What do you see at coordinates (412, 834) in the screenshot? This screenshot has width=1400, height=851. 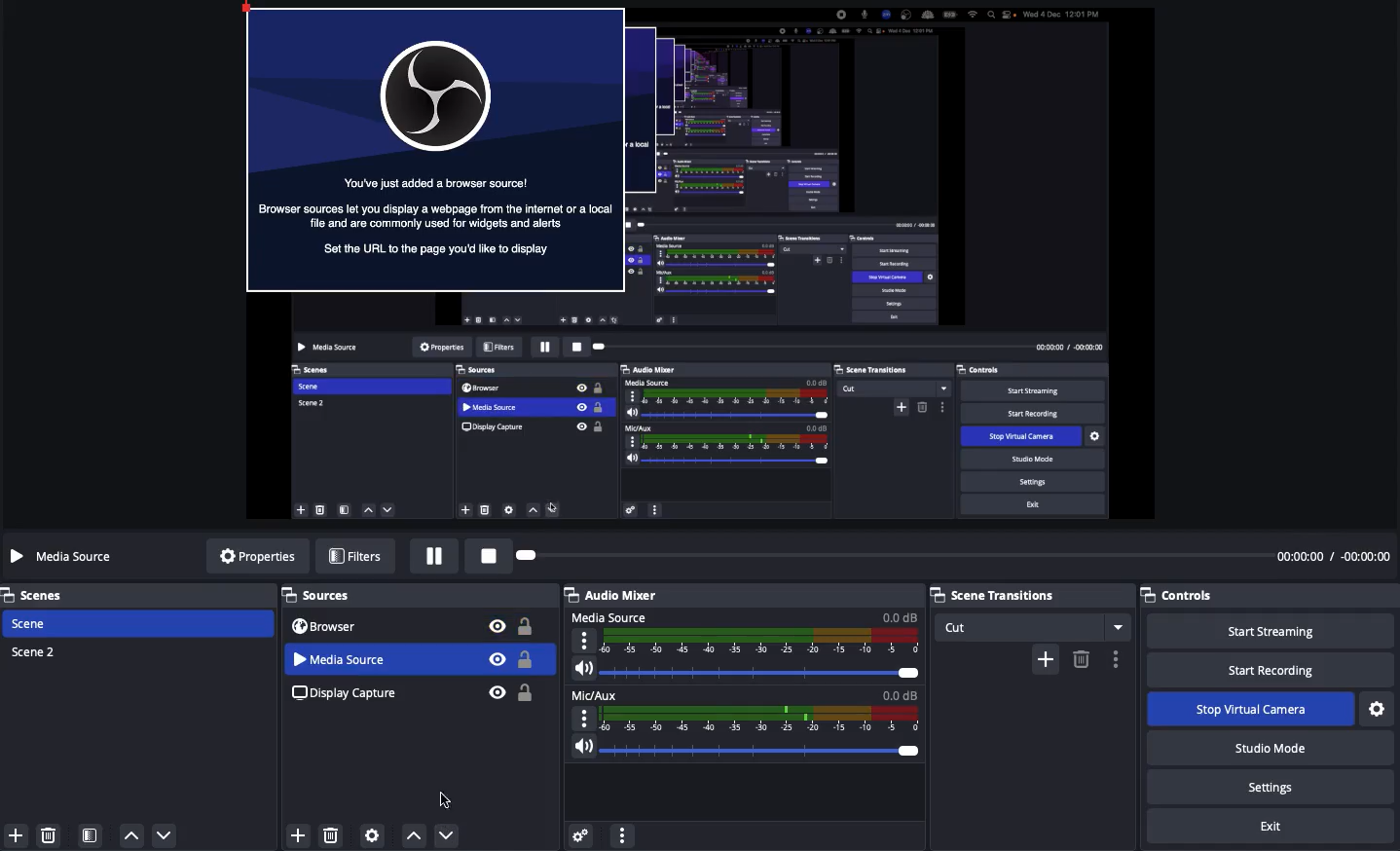 I see `Move up` at bounding box center [412, 834].